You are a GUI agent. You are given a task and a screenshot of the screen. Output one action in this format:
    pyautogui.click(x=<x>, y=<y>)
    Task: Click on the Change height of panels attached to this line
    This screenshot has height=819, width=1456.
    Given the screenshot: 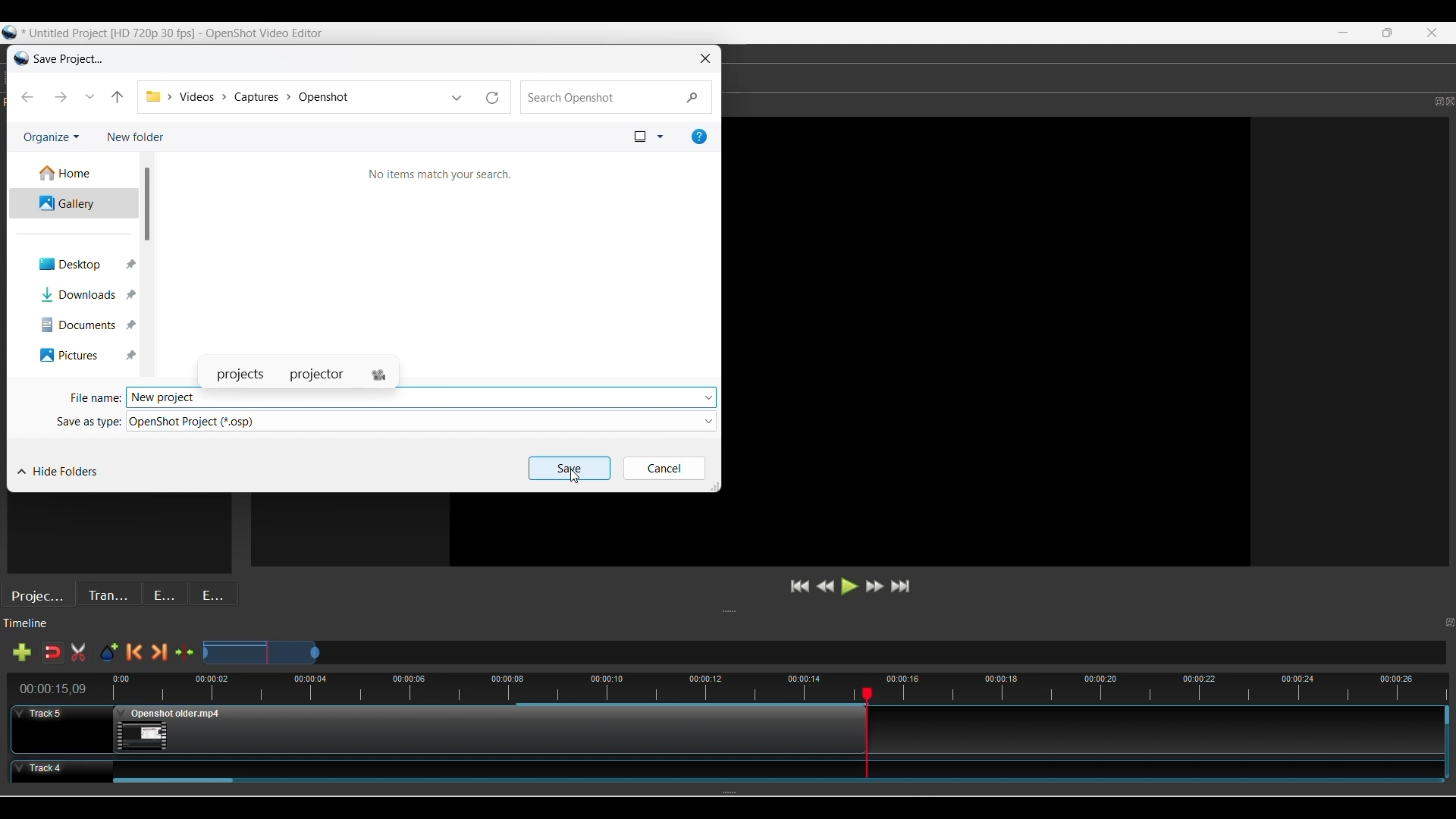 What is the action you would take?
    pyautogui.click(x=799, y=612)
    